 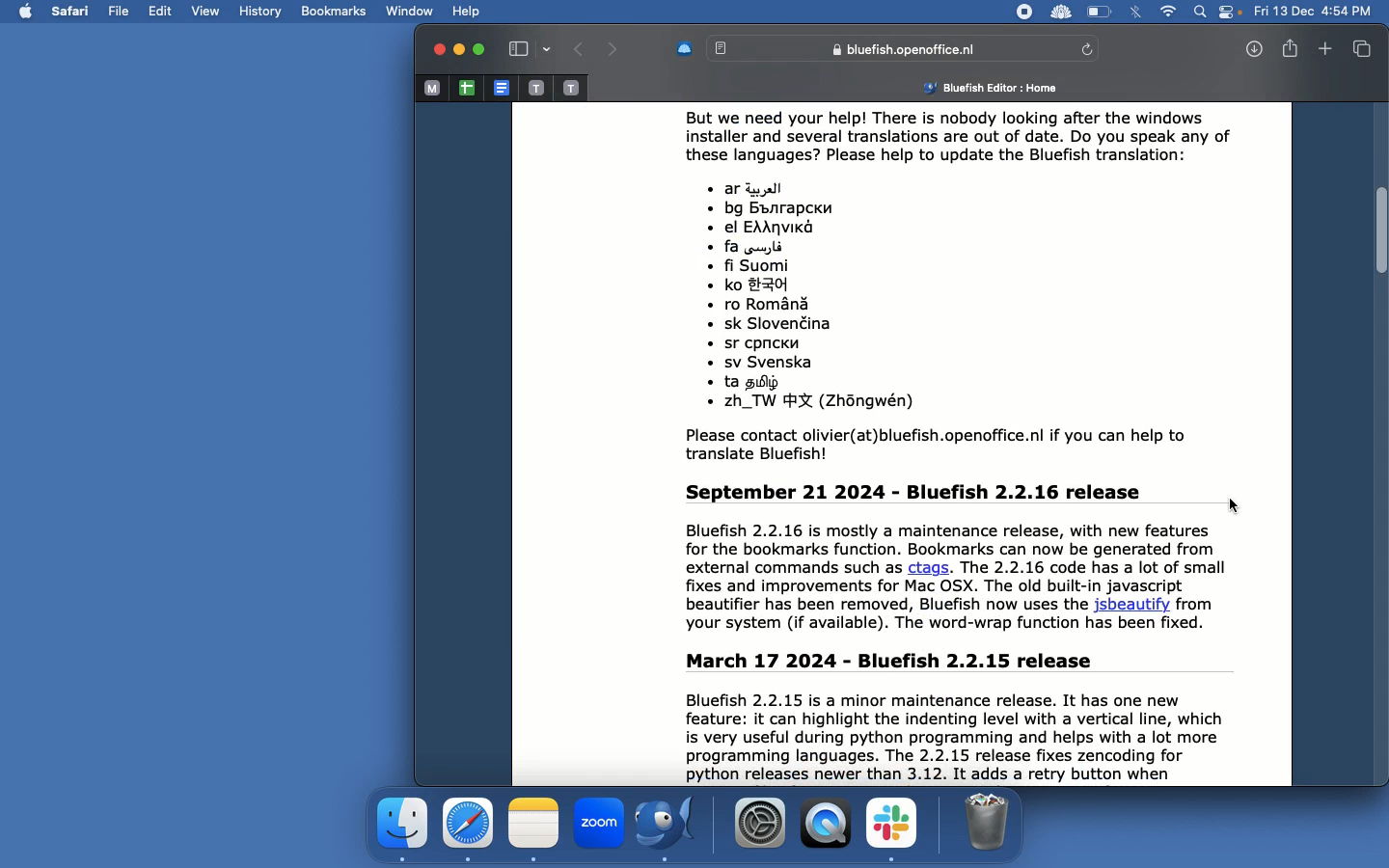 What do you see at coordinates (872, 300) in the screenshot?
I see `different languages` at bounding box center [872, 300].